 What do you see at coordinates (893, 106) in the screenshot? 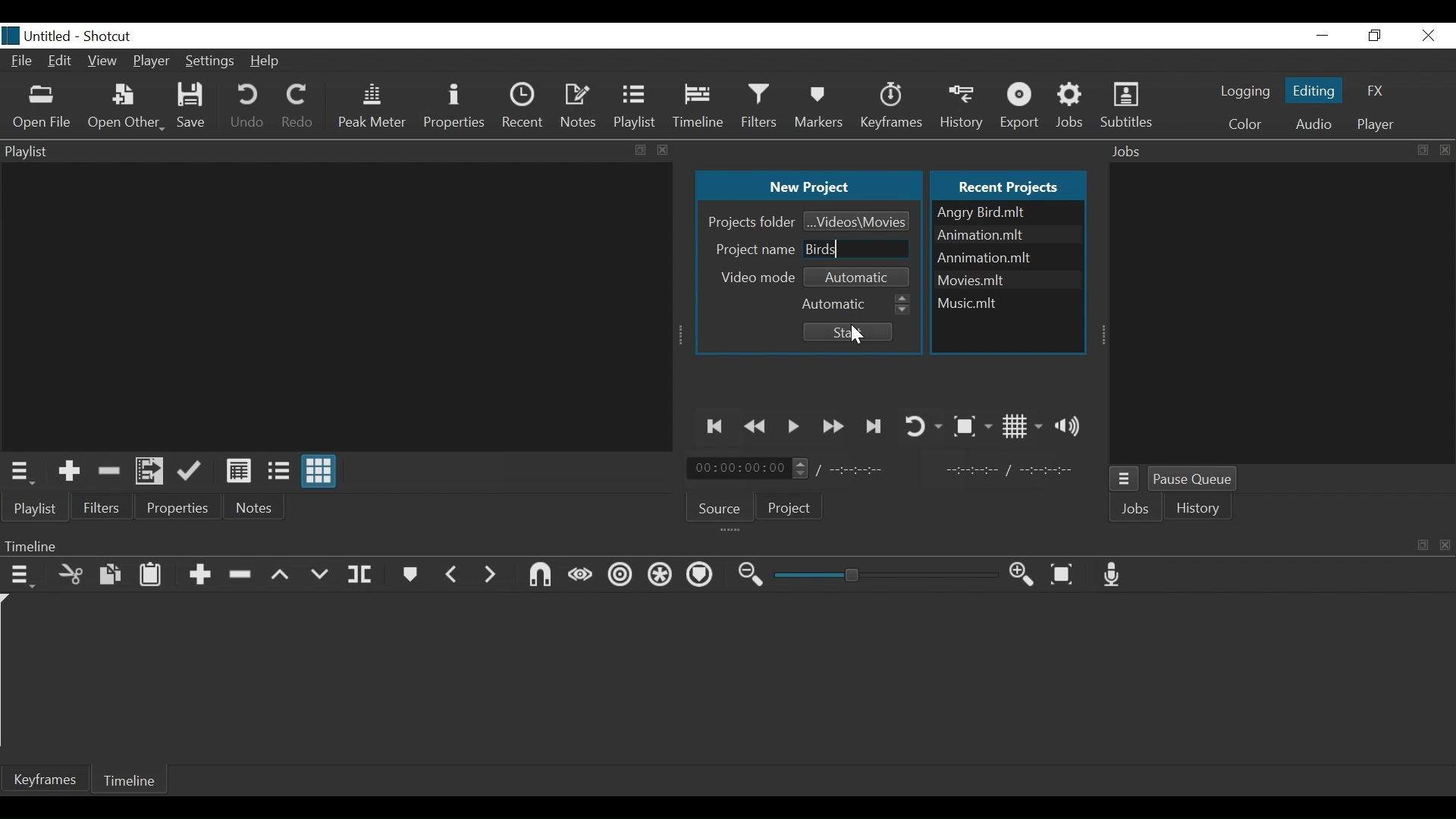
I see `Keyframe` at bounding box center [893, 106].